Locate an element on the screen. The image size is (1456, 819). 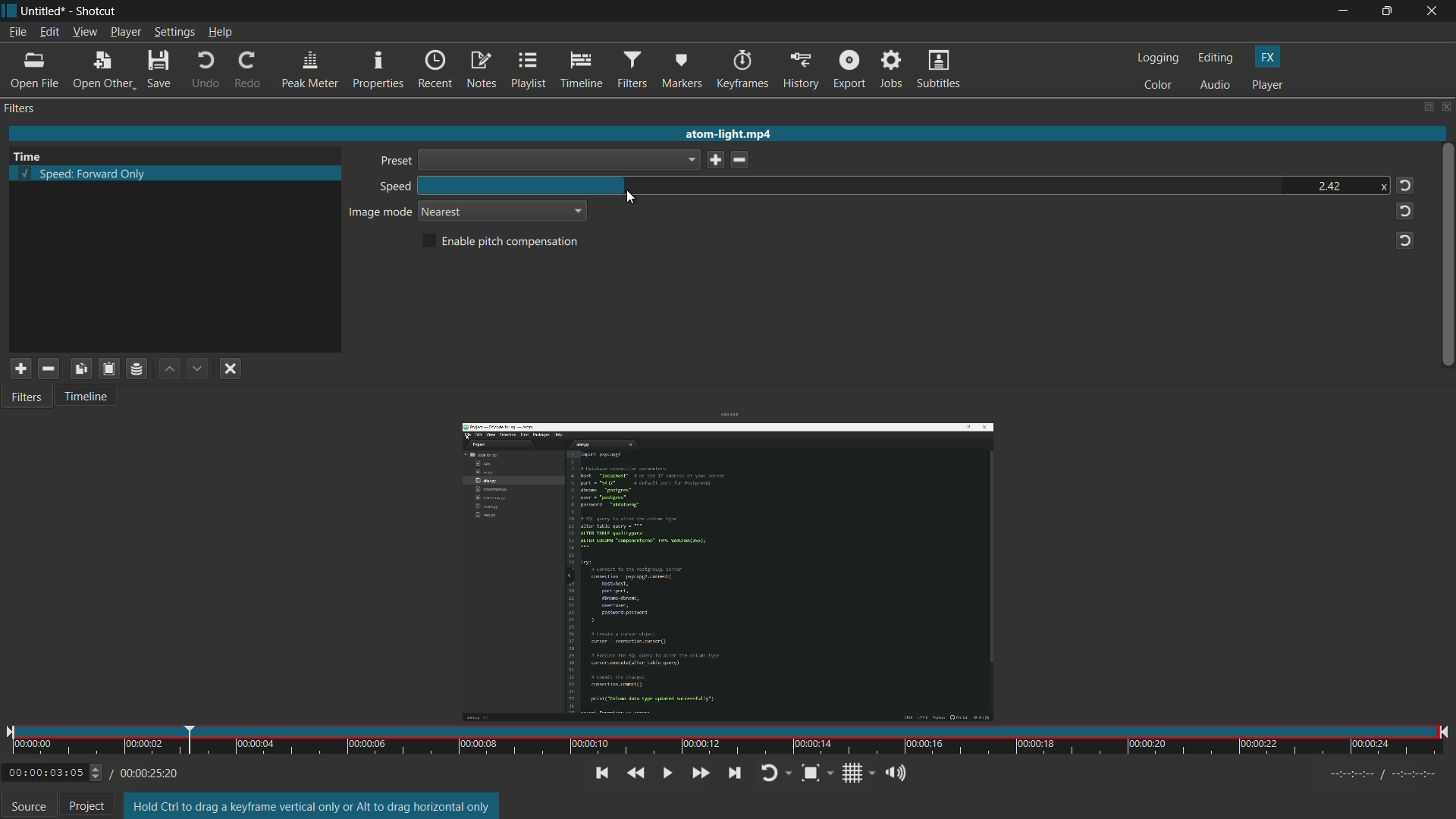
close app is located at coordinates (1435, 11).